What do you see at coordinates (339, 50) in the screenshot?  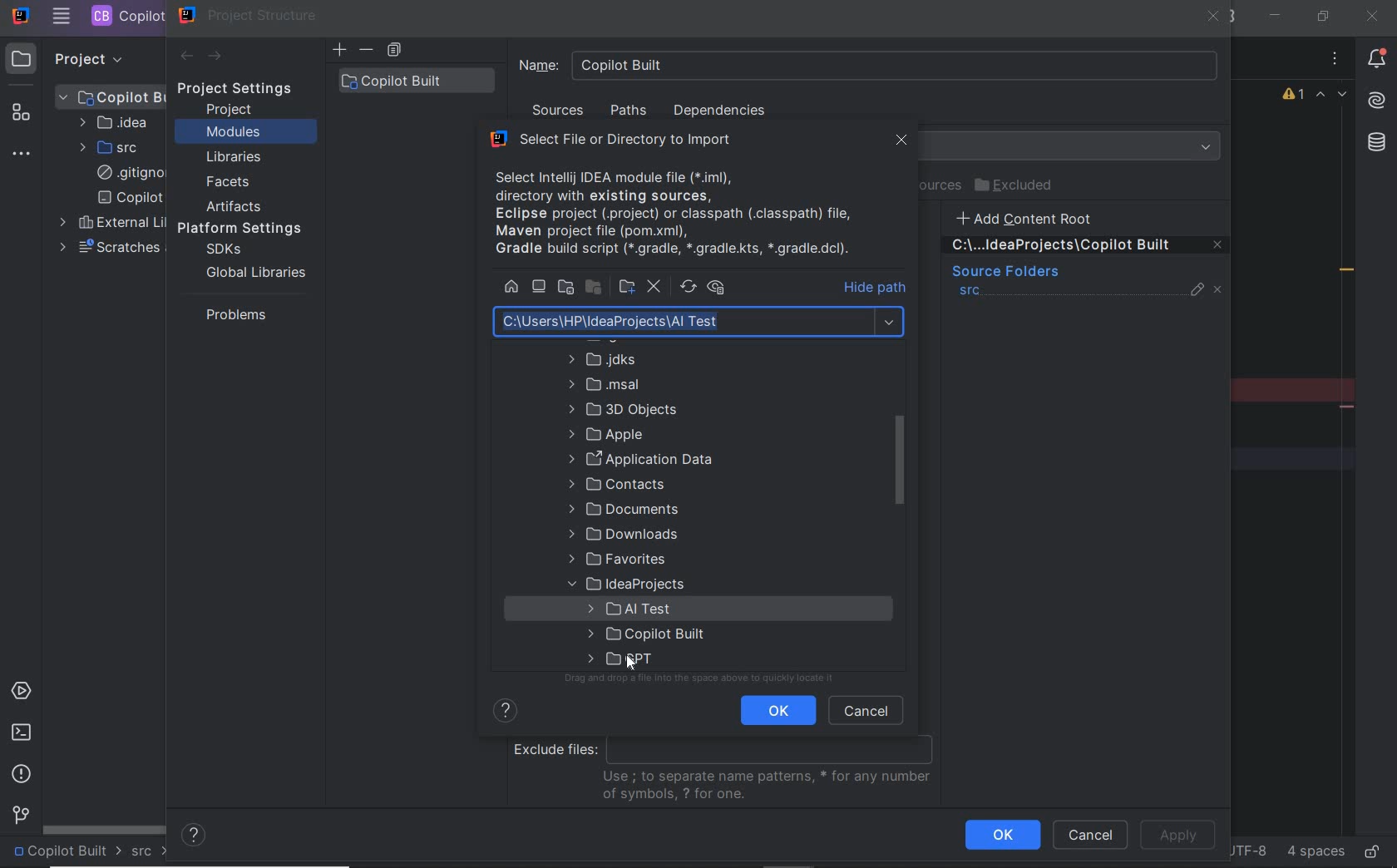 I see `add` at bounding box center [339, 50].